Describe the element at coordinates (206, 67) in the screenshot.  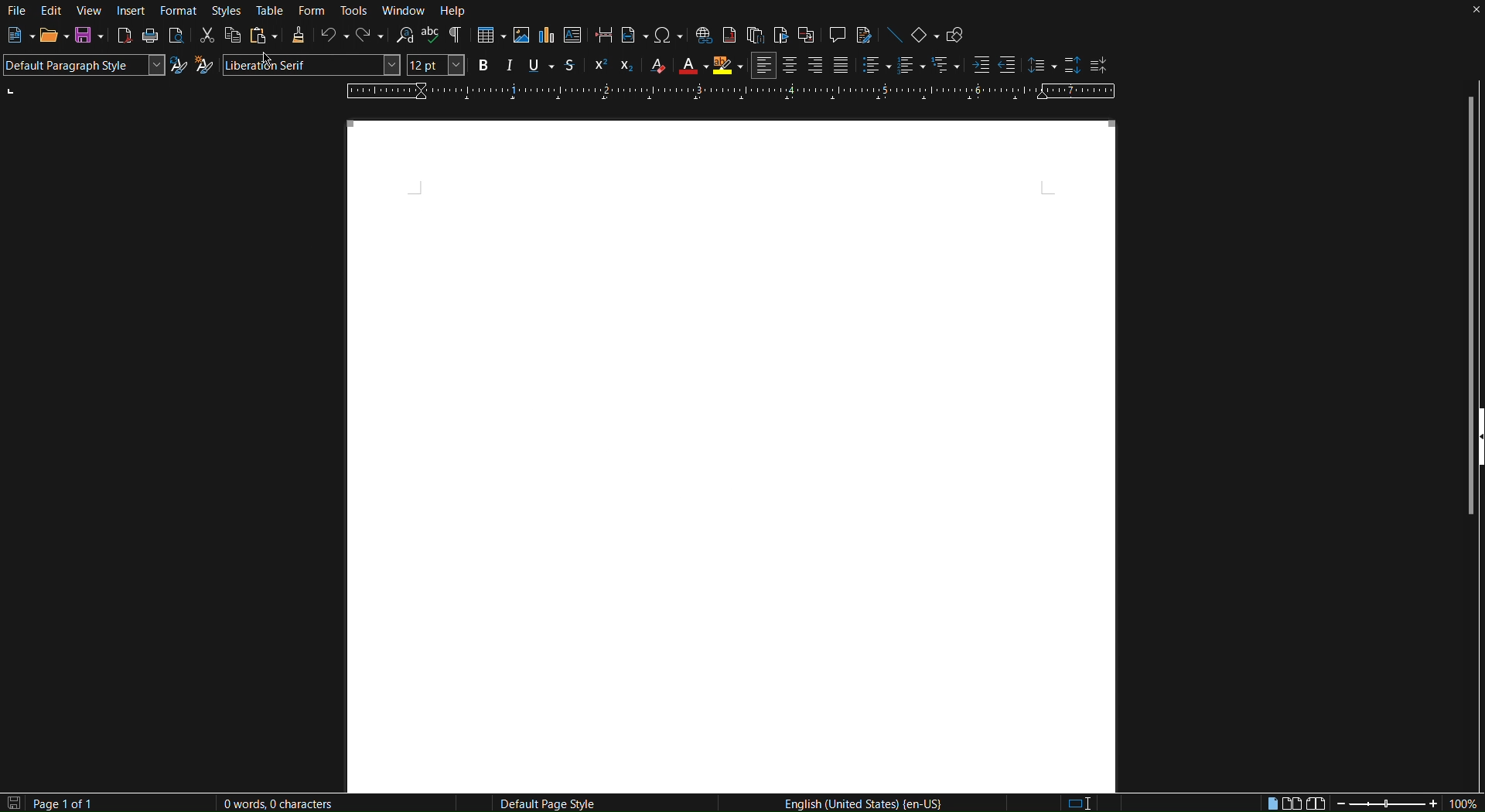
I see `New Style from Selection` at that location.